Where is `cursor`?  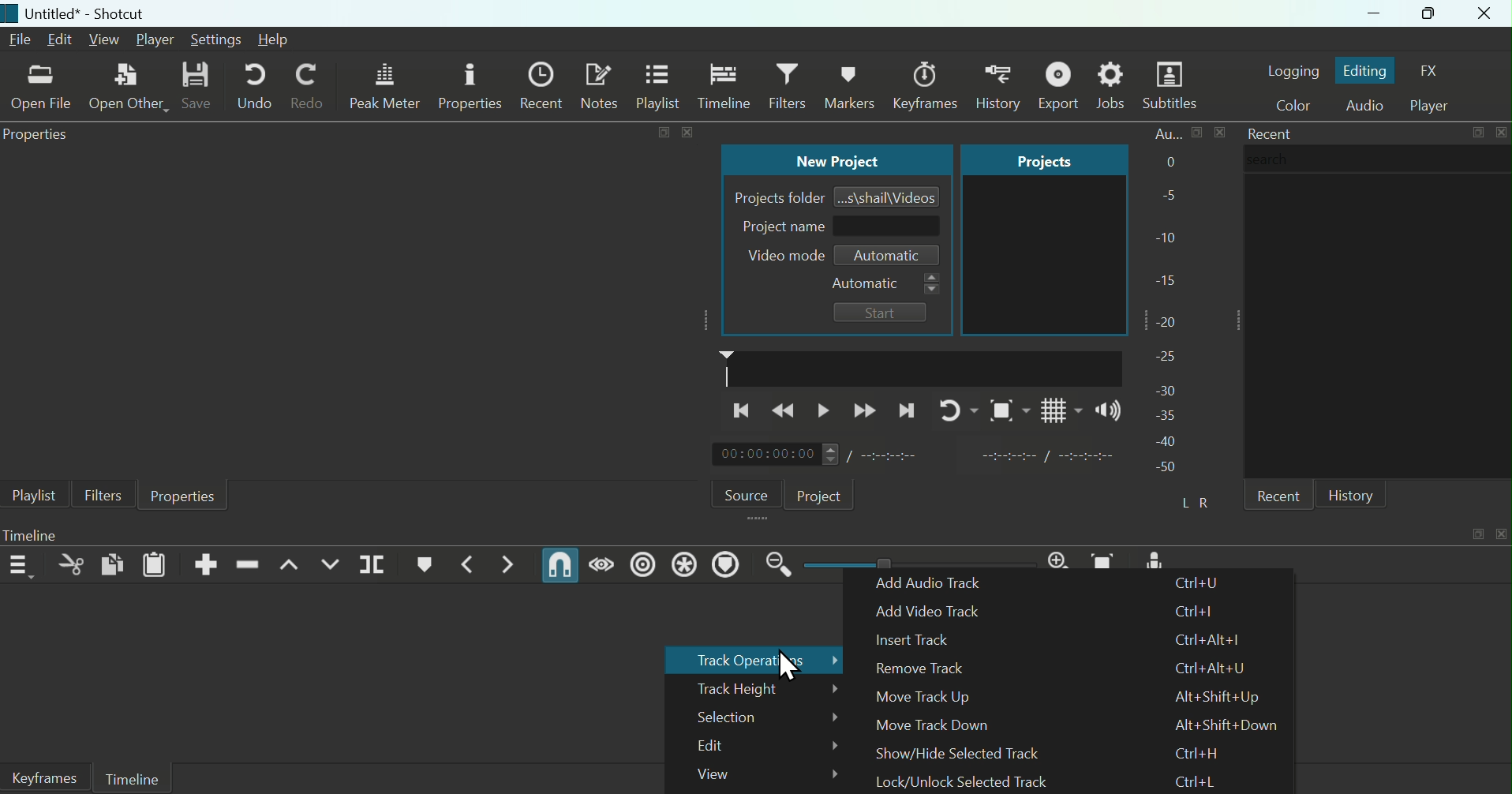 cursor is located at coordinates (788, 665).